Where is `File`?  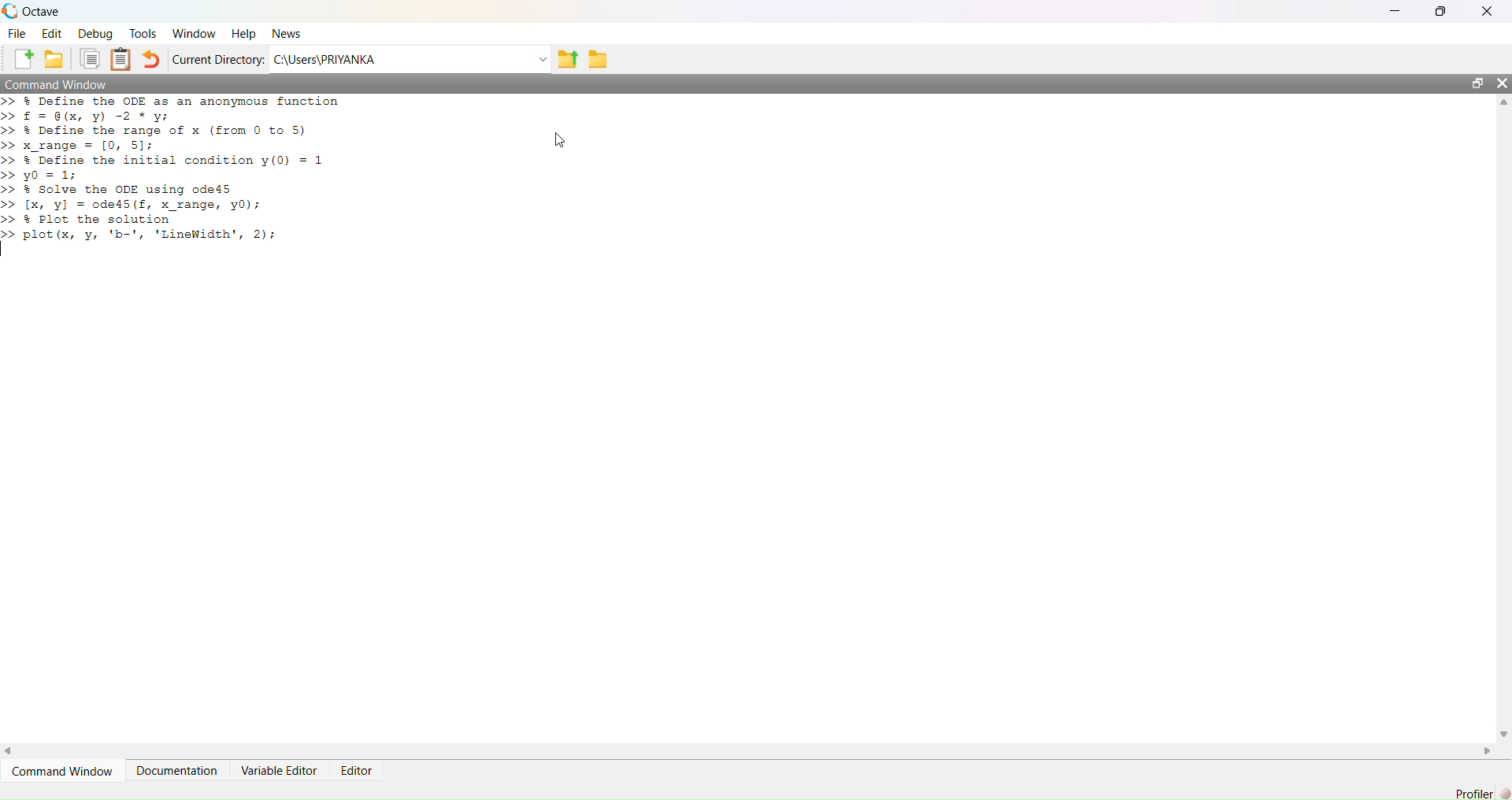
File is located at coordinates (17, 33).